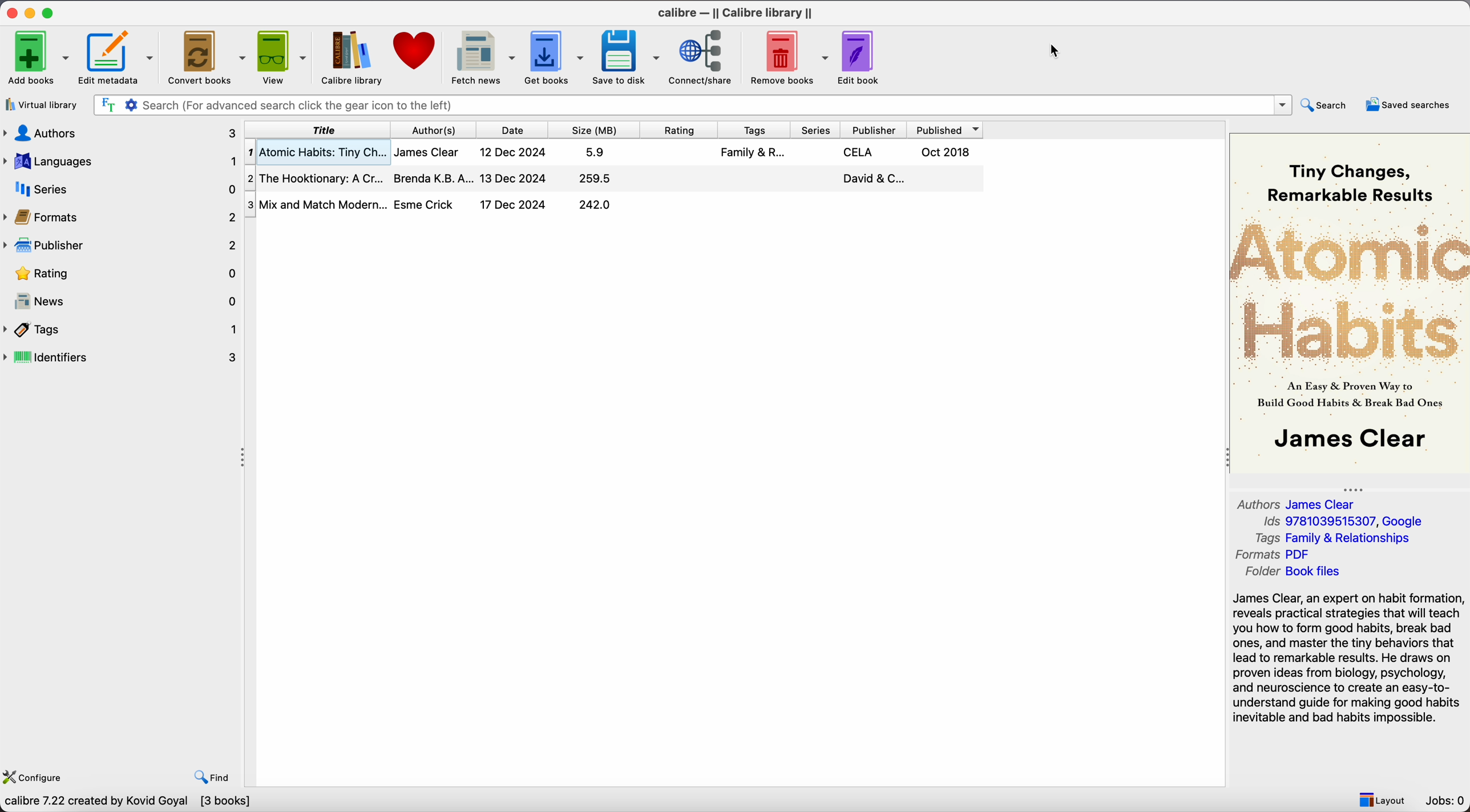 This screenshot has width=1470, height=812. I want to click on authors, so click(122, 134).